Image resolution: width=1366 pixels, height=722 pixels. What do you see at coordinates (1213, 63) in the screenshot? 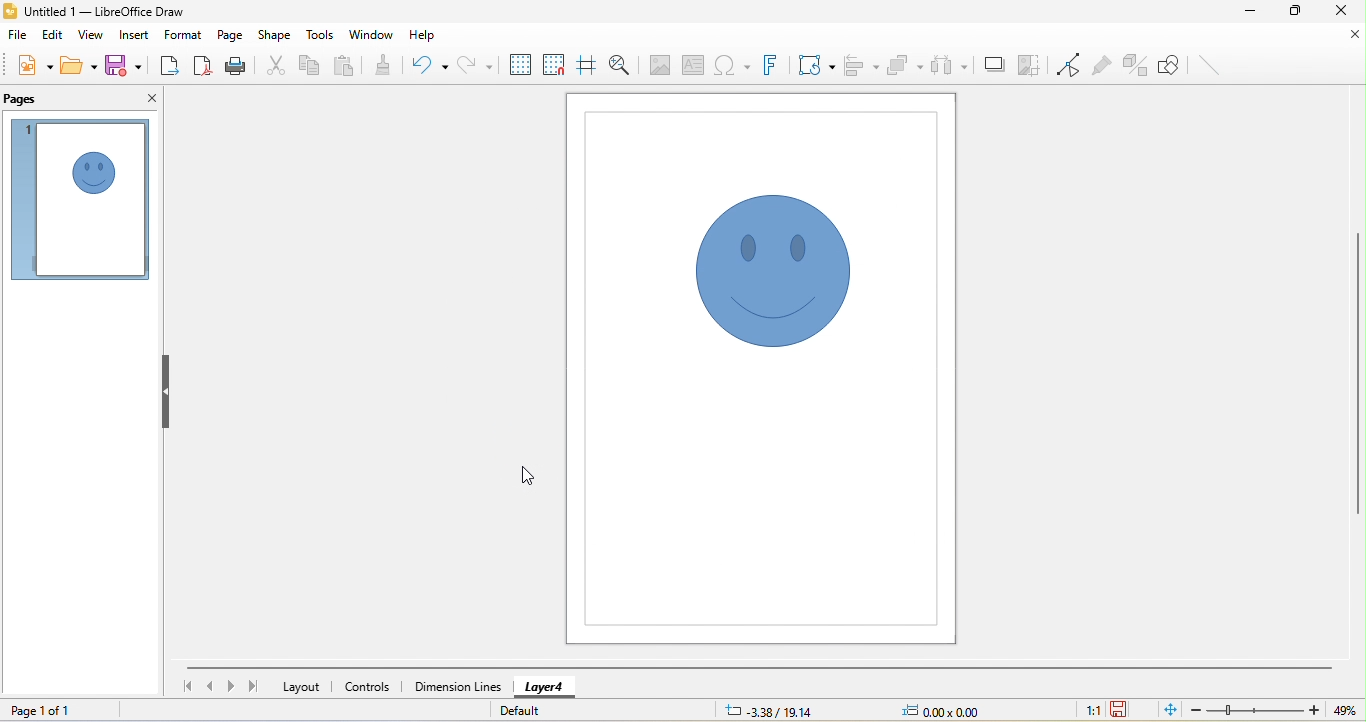
I see `insert line` at bounding box center [1213, 63].